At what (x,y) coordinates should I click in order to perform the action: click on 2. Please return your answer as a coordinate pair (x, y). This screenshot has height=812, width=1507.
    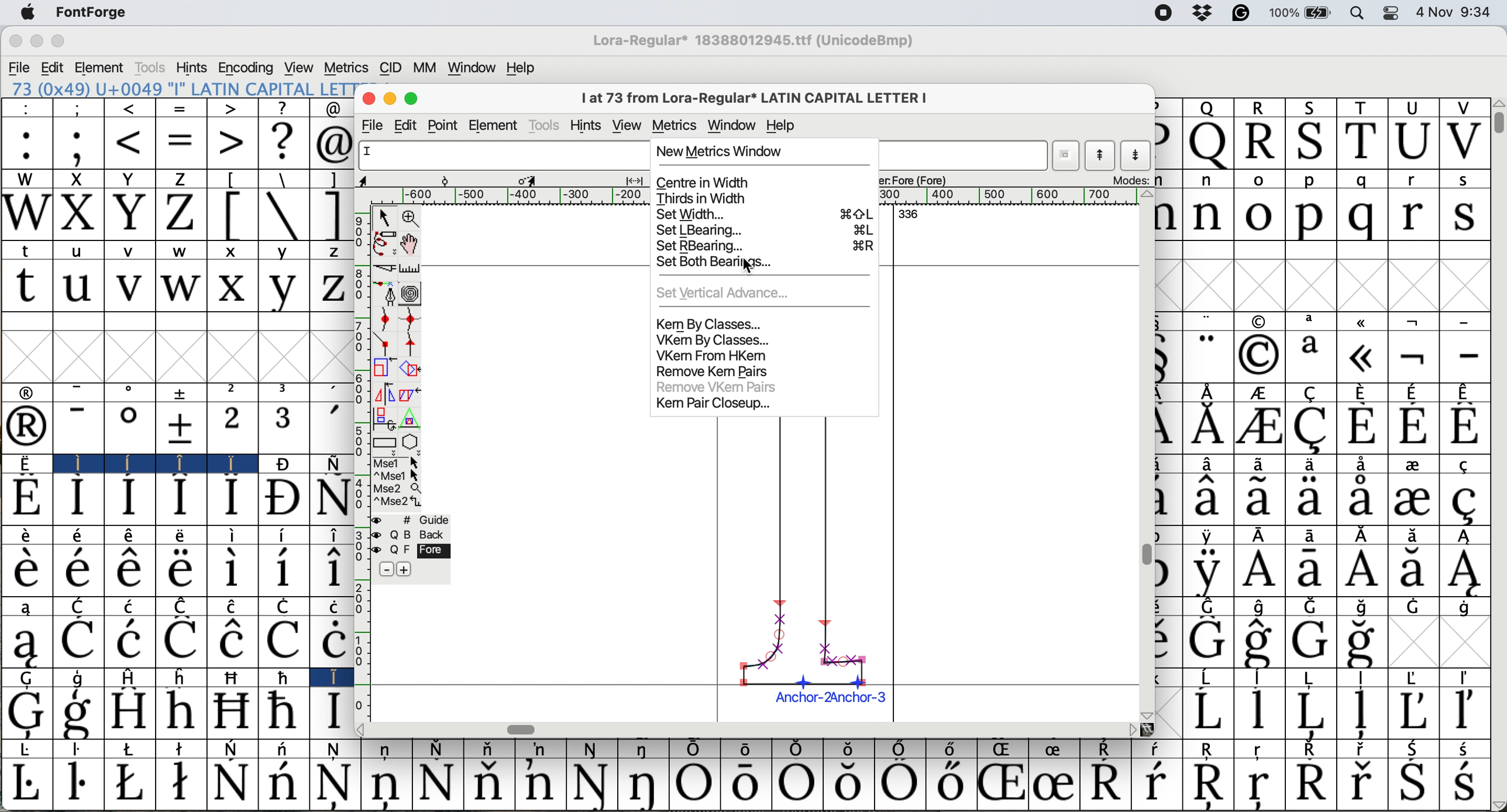
    Looking at the image, I should click on (231, 428).